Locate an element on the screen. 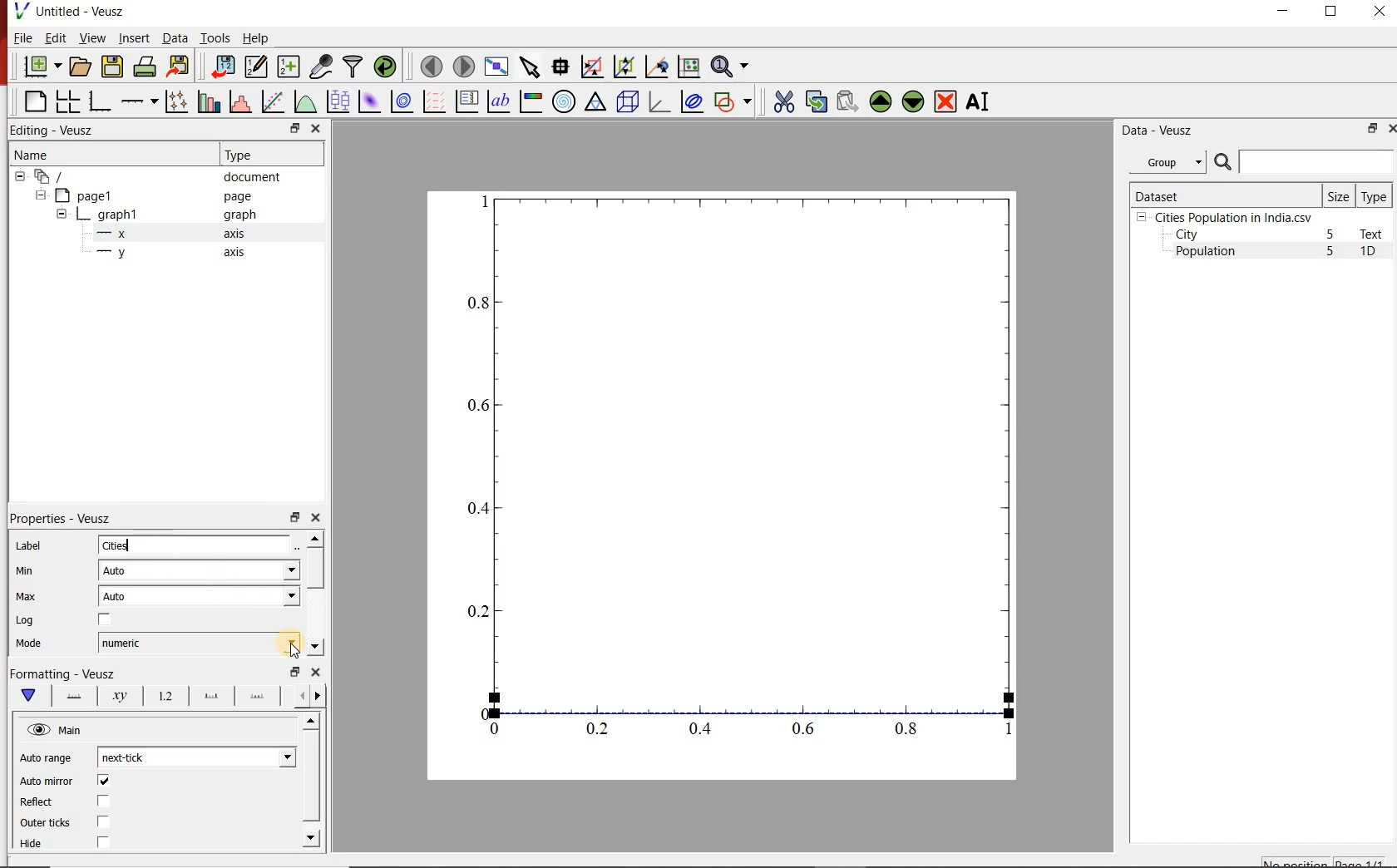 The image size is (1397, 868). filter data is located at coordinates (353, 67).